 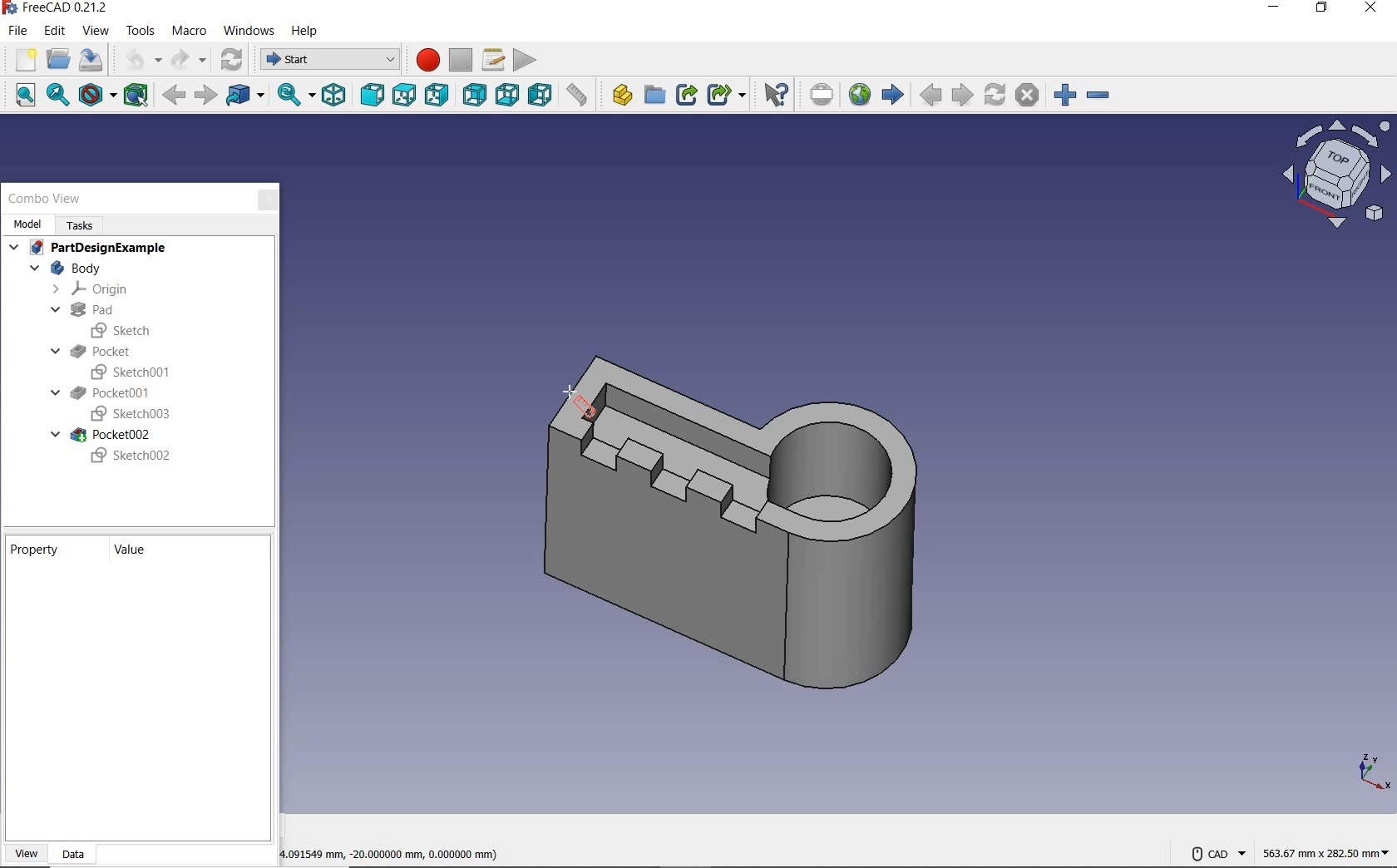 I want to click on refresh, so click(x=234, y=60).